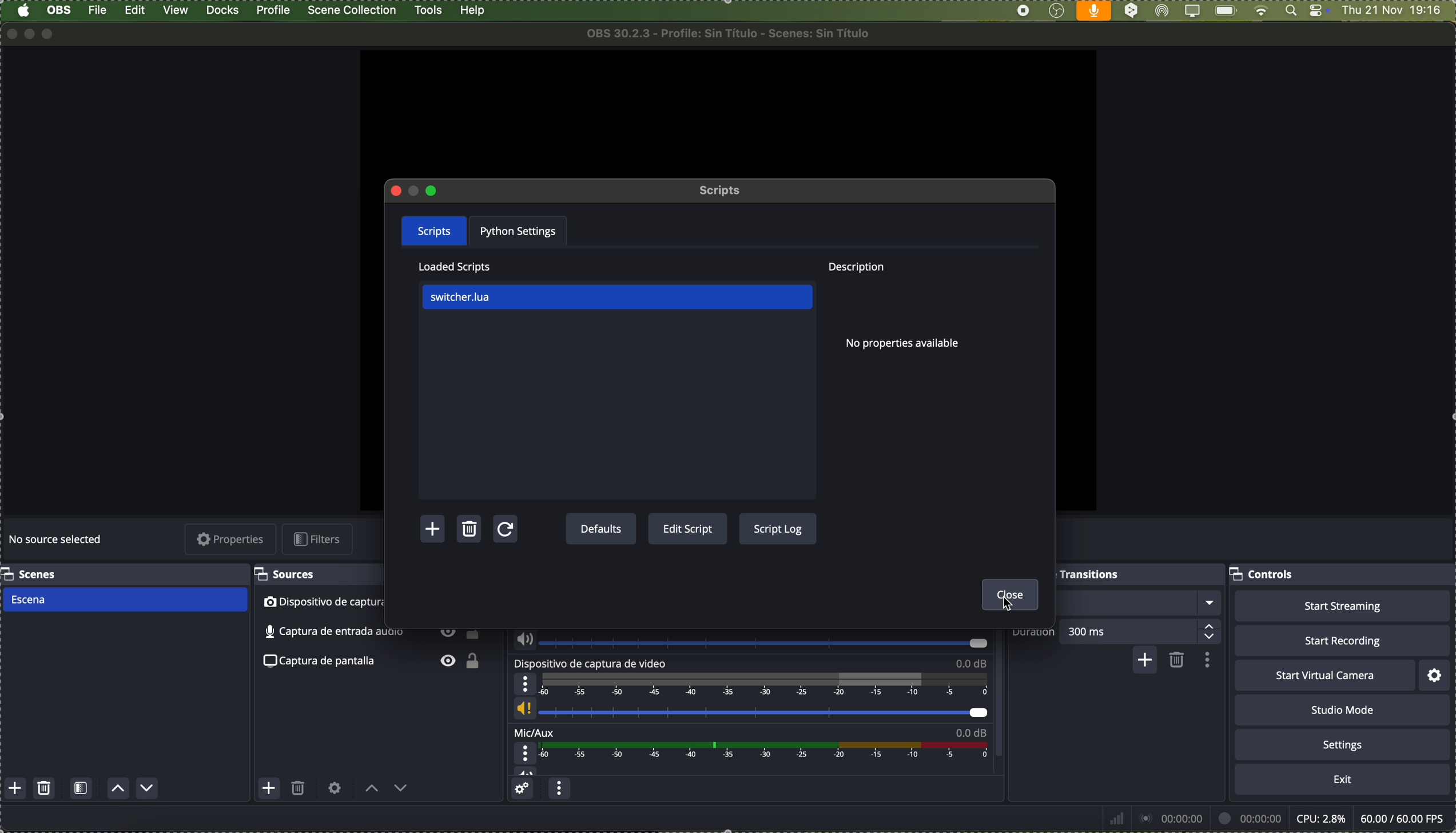  Describe the element at coordinates (747, 752) in the screenshot. I see `Mic/Aux` at that location.